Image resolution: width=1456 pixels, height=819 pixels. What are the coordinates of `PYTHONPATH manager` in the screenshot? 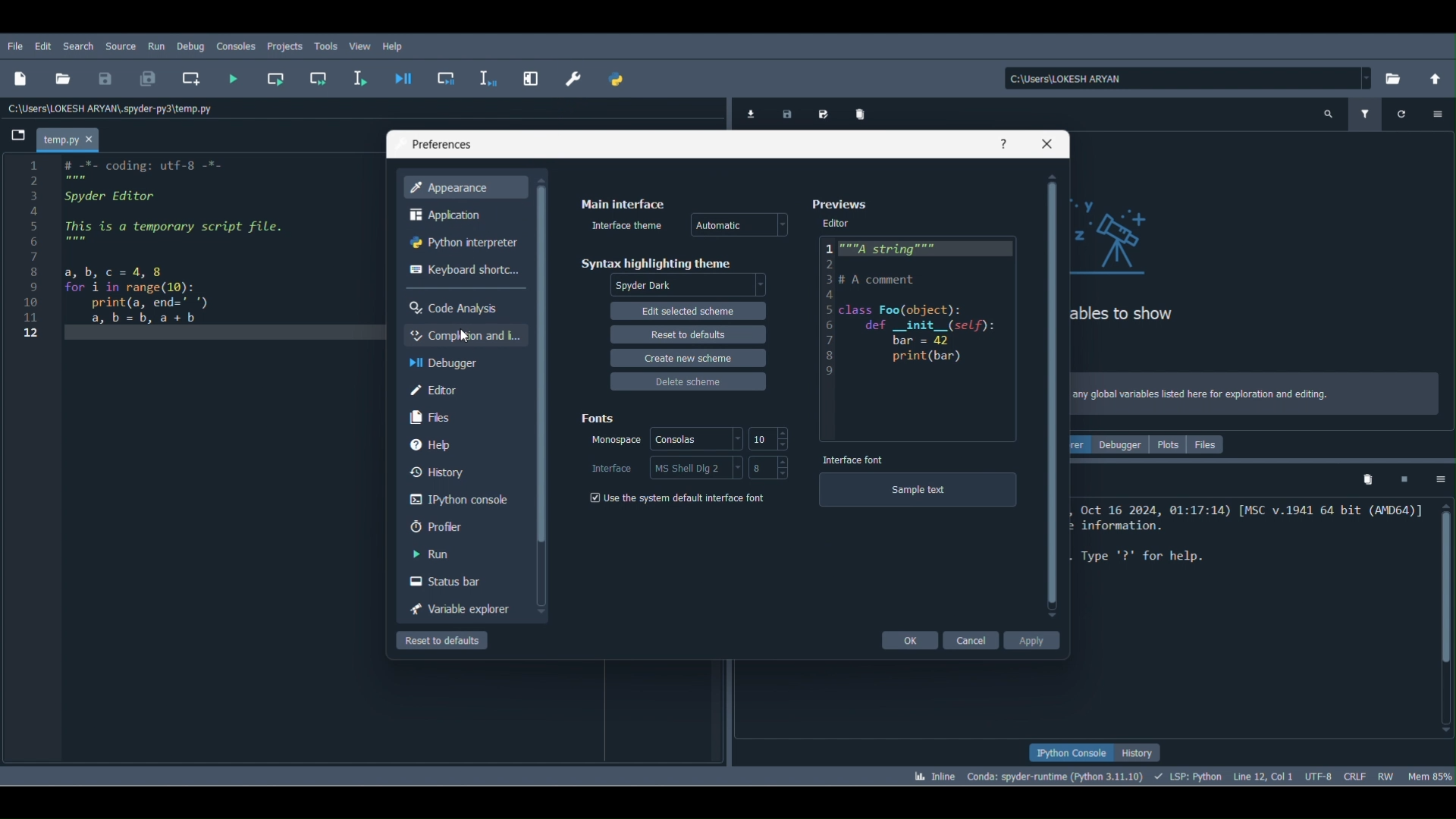 It's located at (623, 80).